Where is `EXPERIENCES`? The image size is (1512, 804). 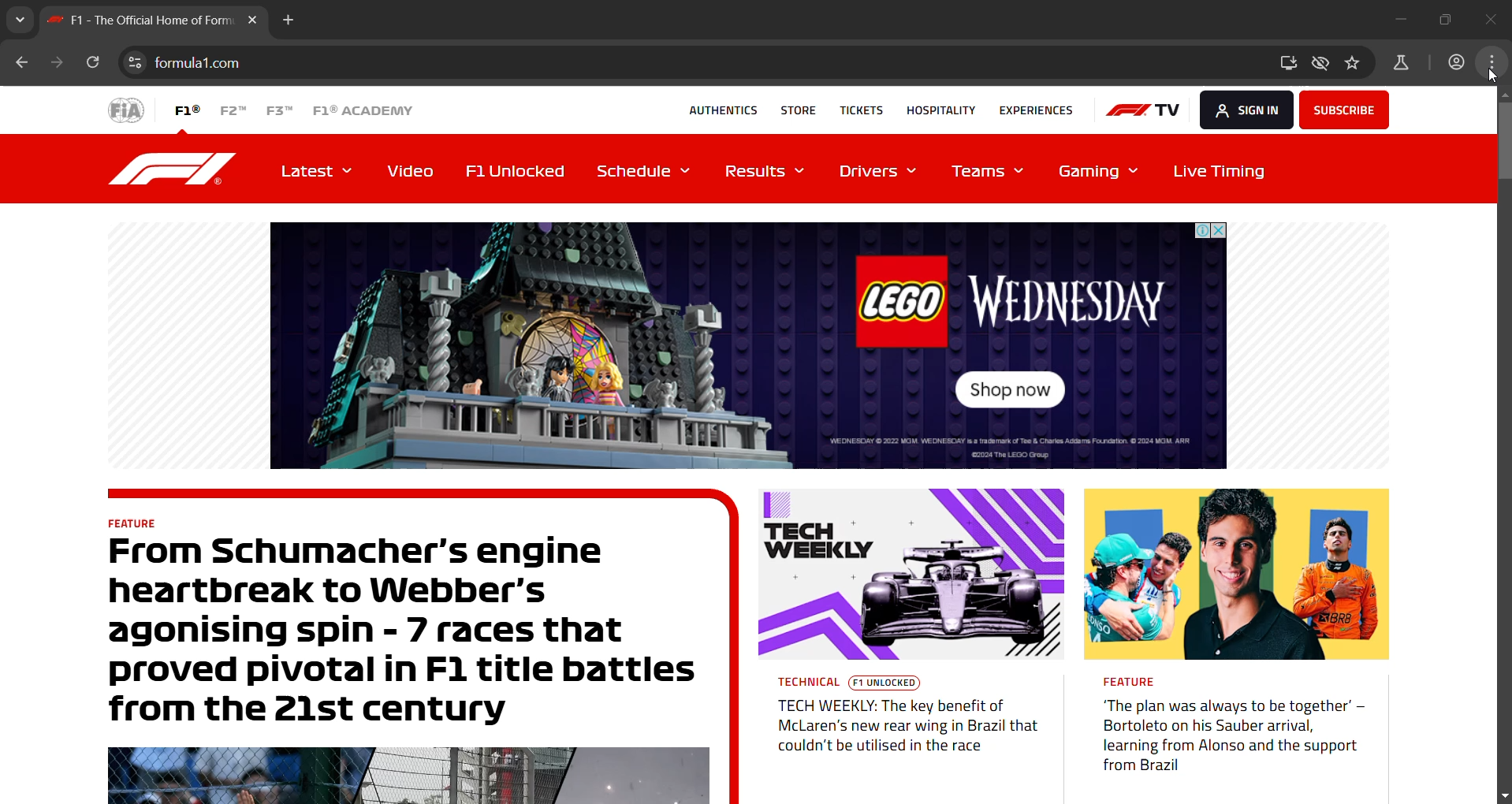 EXPERIENCES is located at coordinates (1034, 107).